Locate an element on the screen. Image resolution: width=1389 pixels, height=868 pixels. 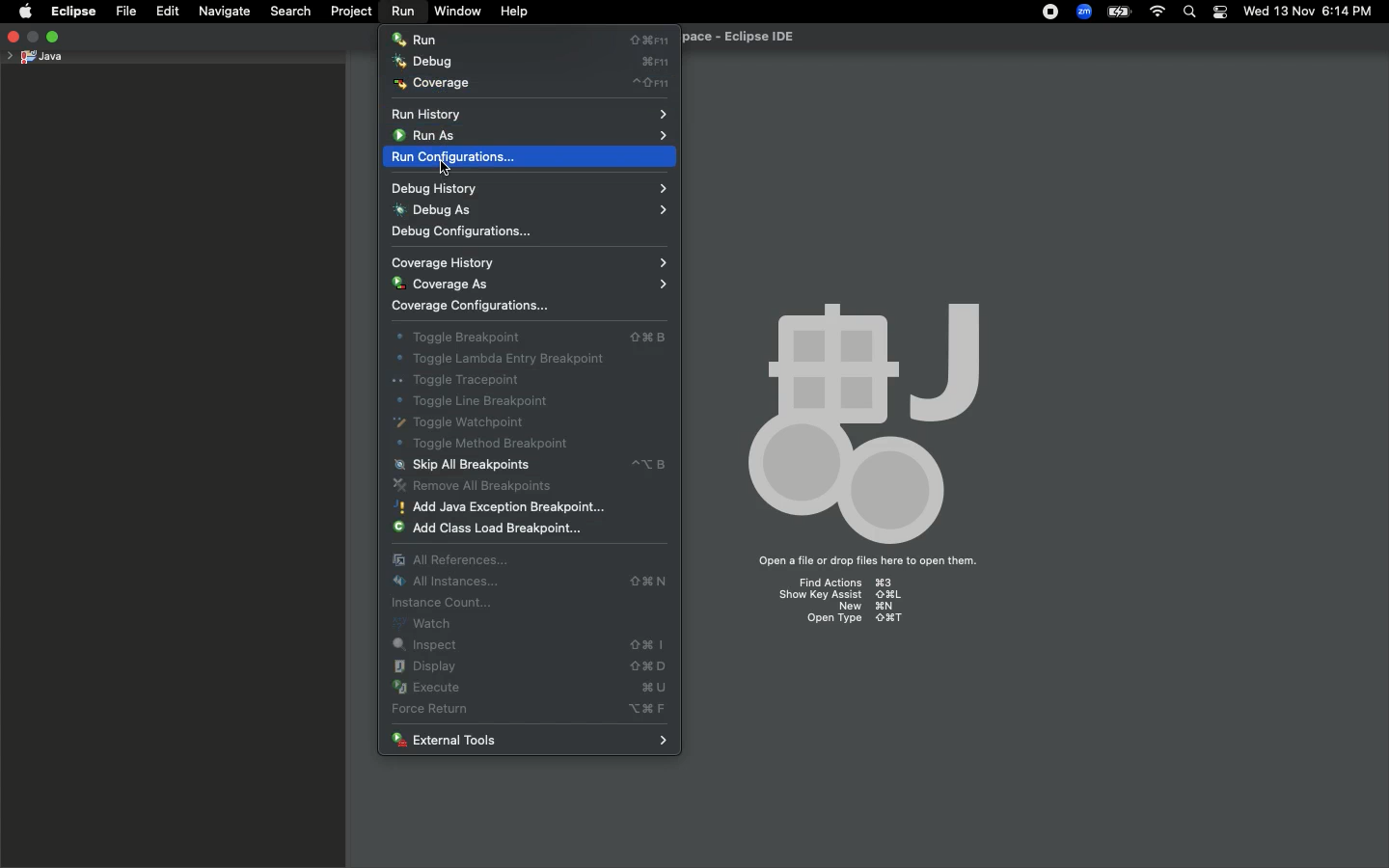
new ⌘N is located at coordinates (869, 607).